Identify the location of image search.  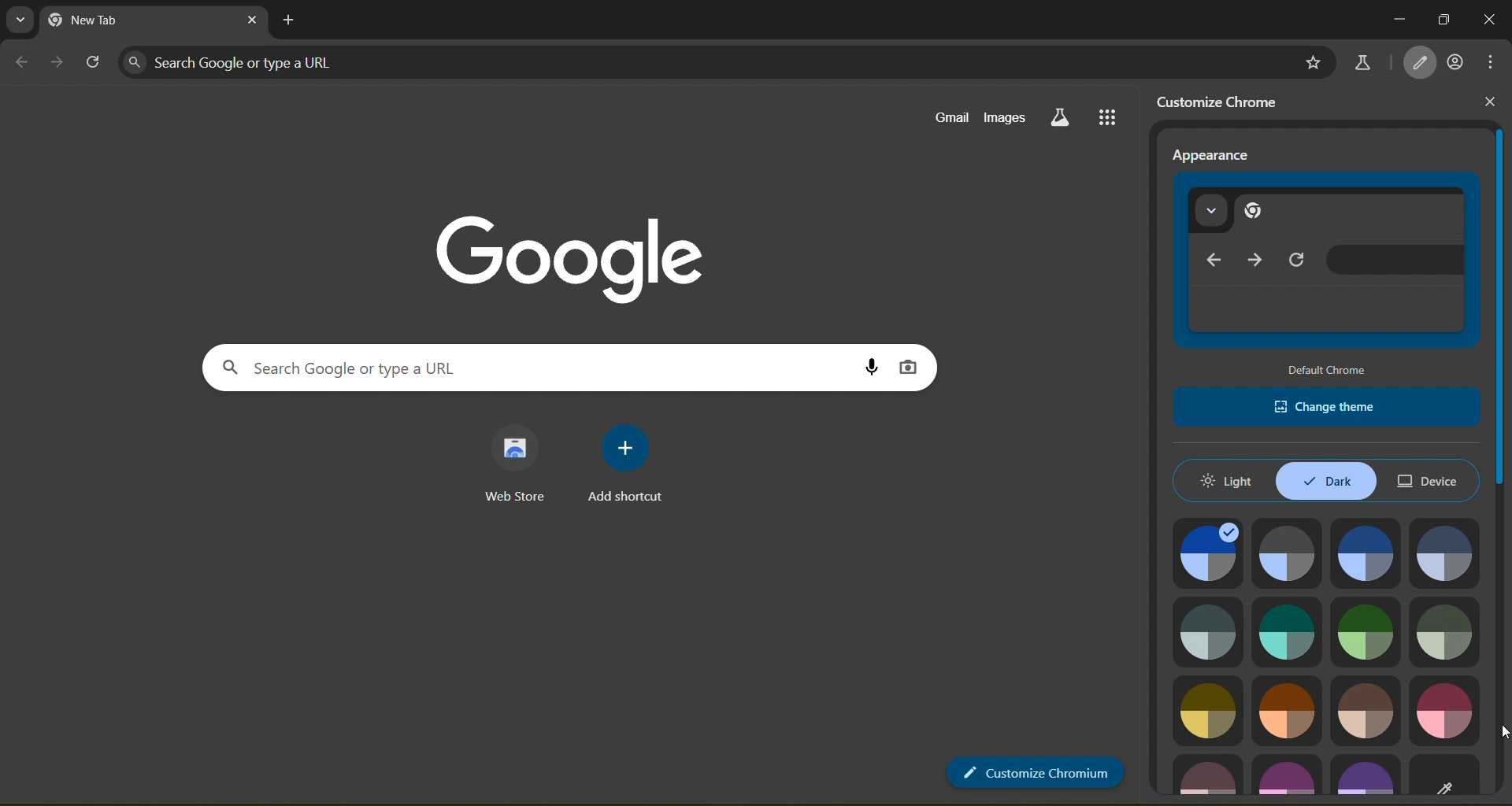
(912, 369).